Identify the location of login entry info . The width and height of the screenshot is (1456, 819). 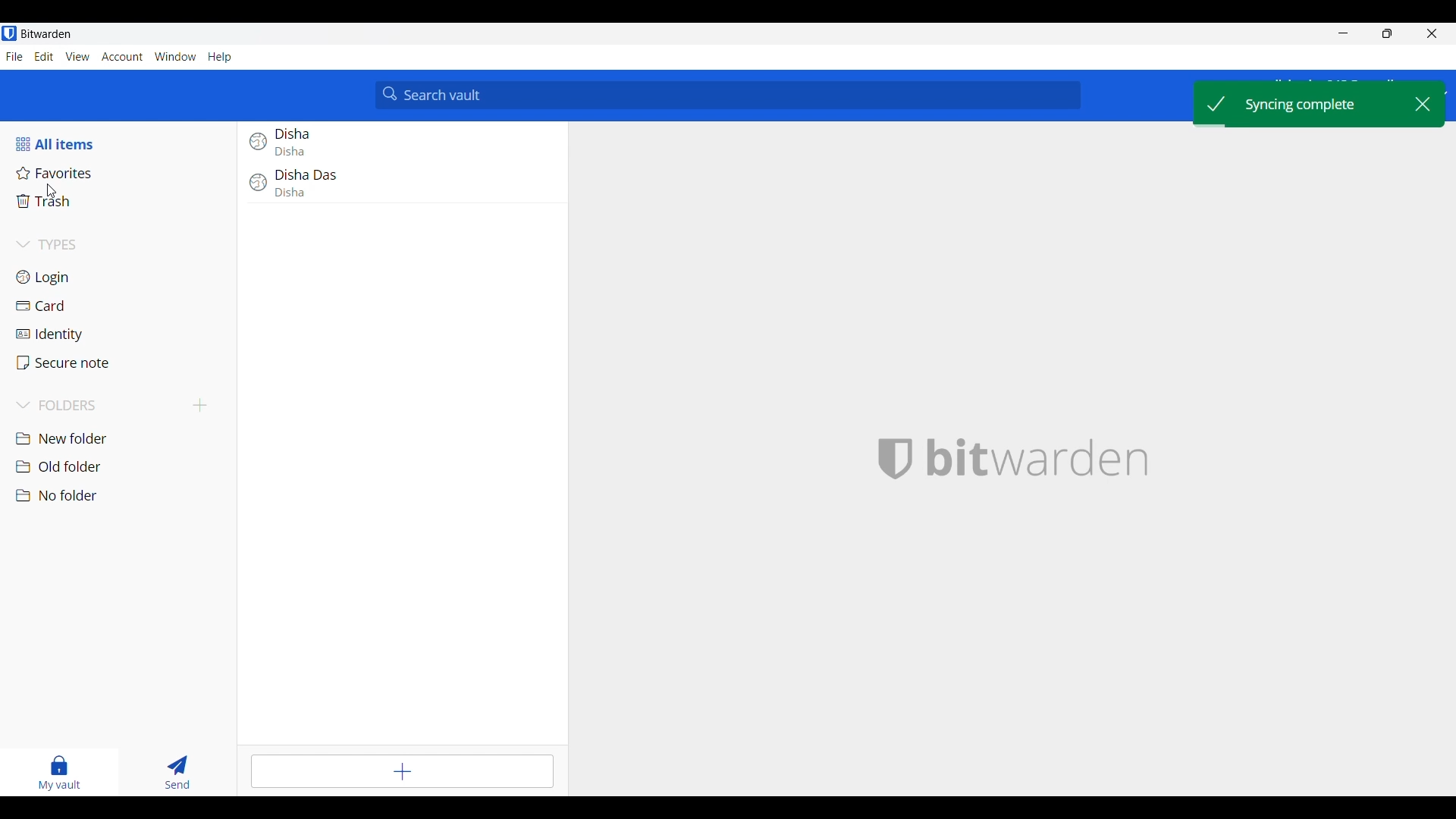
(394, 143).